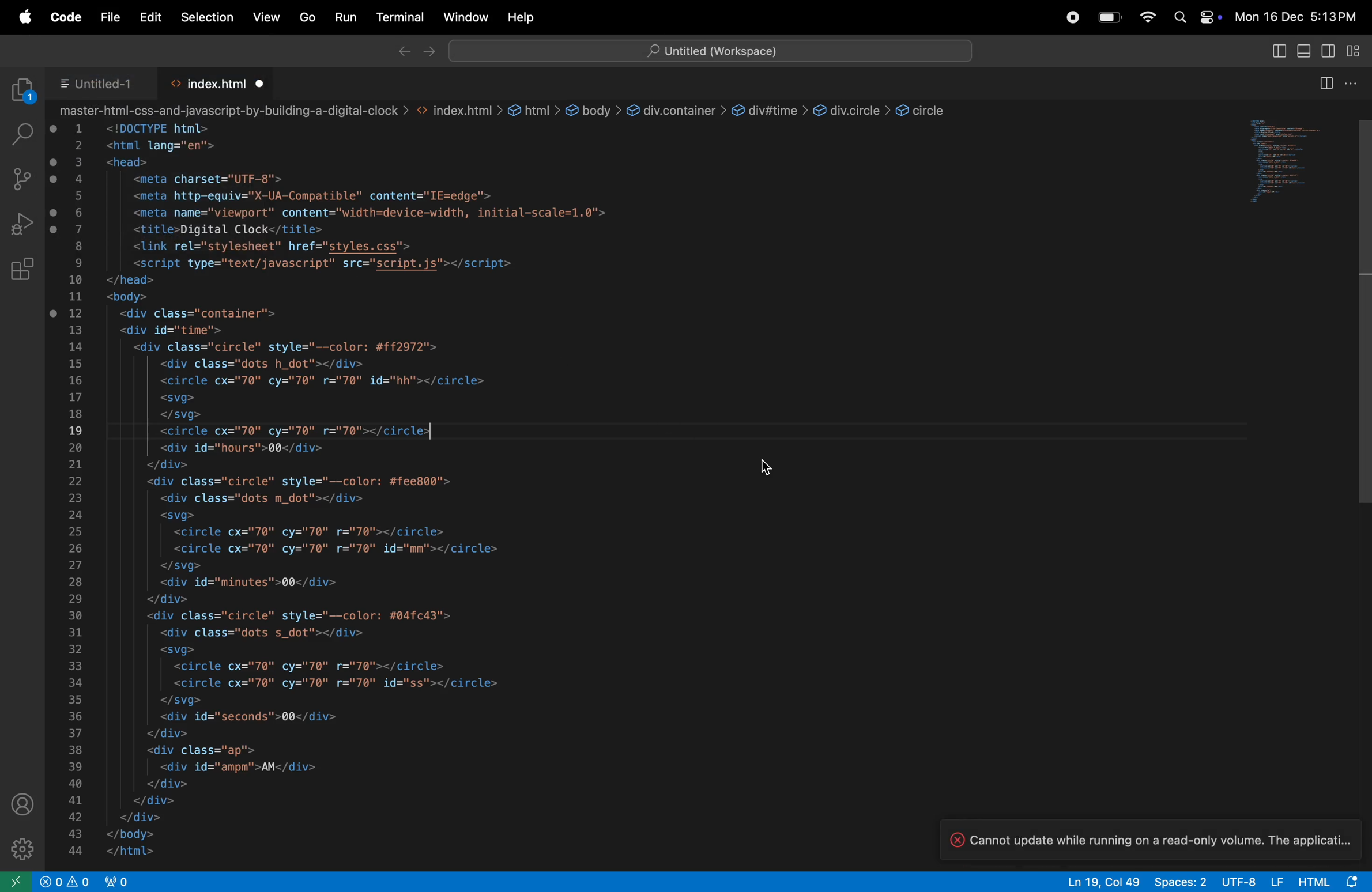  Describe the element at coordinates (322, 666) in the screenshot. I see `<circle cx="70" cy="70" r="70"></circle>` at that location.